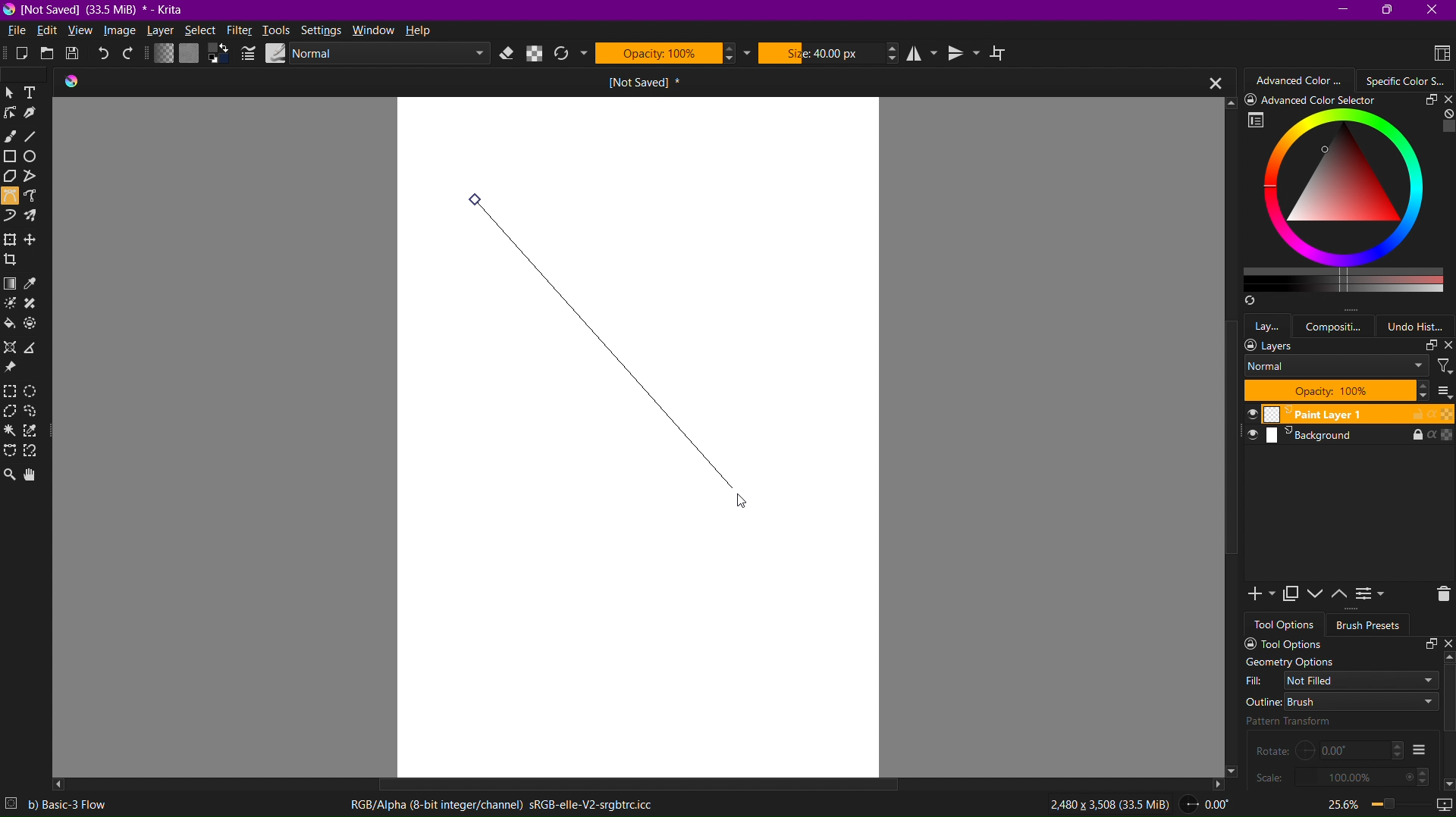 The image size is (1456, 817). Describe the element at coordinates (1336, 390) in the screenshot. I see `Layer Opacity` at that location.